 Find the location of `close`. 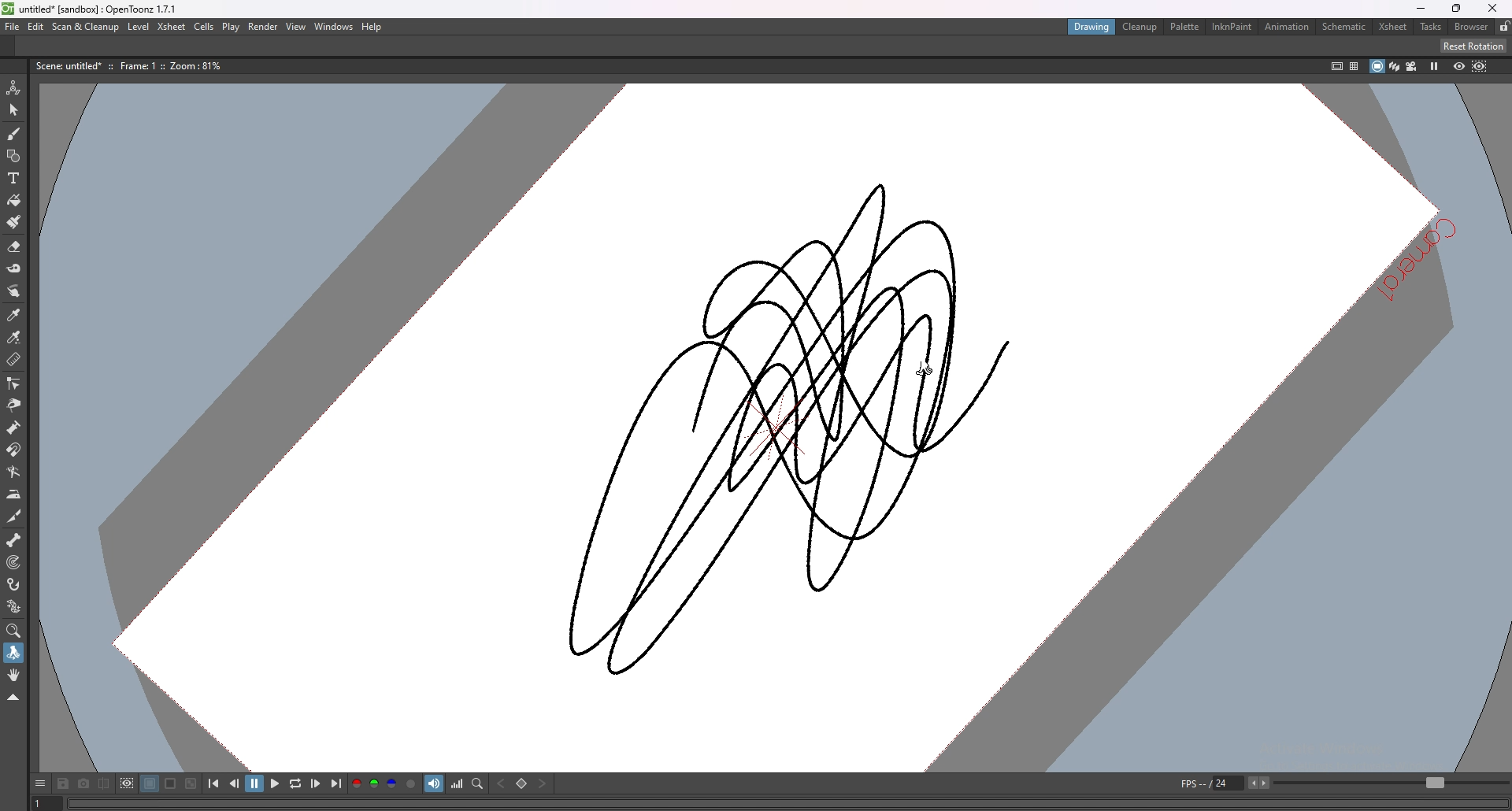

close is located at coordinates (1495, 8).